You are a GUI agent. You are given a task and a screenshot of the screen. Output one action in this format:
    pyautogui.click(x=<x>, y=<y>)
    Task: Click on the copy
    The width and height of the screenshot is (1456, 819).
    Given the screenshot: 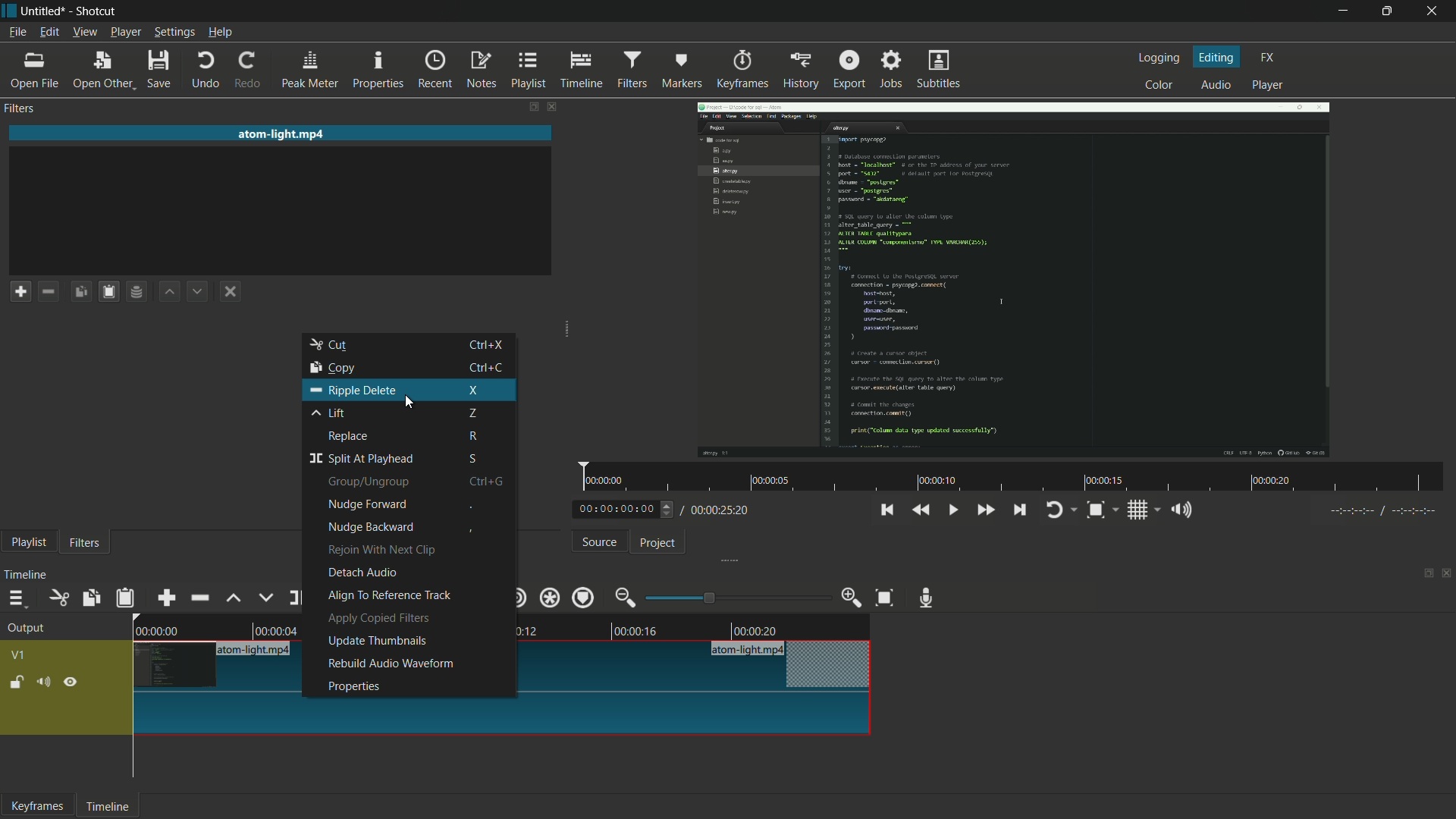 What is the action you would take?
    pyautogui.click(x=409, y=368)
    